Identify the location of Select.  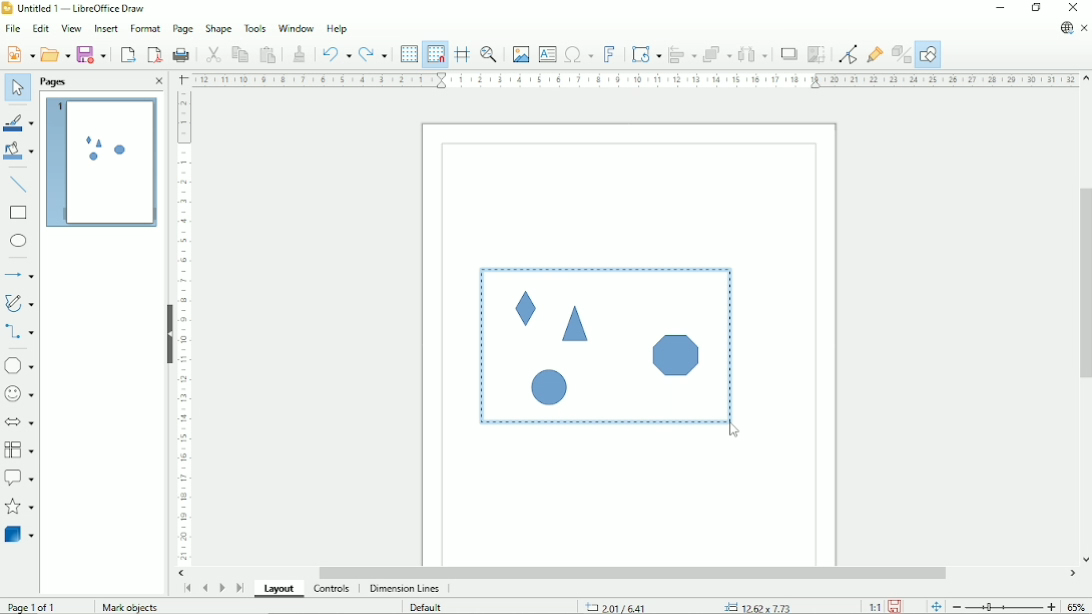
(15, 87).